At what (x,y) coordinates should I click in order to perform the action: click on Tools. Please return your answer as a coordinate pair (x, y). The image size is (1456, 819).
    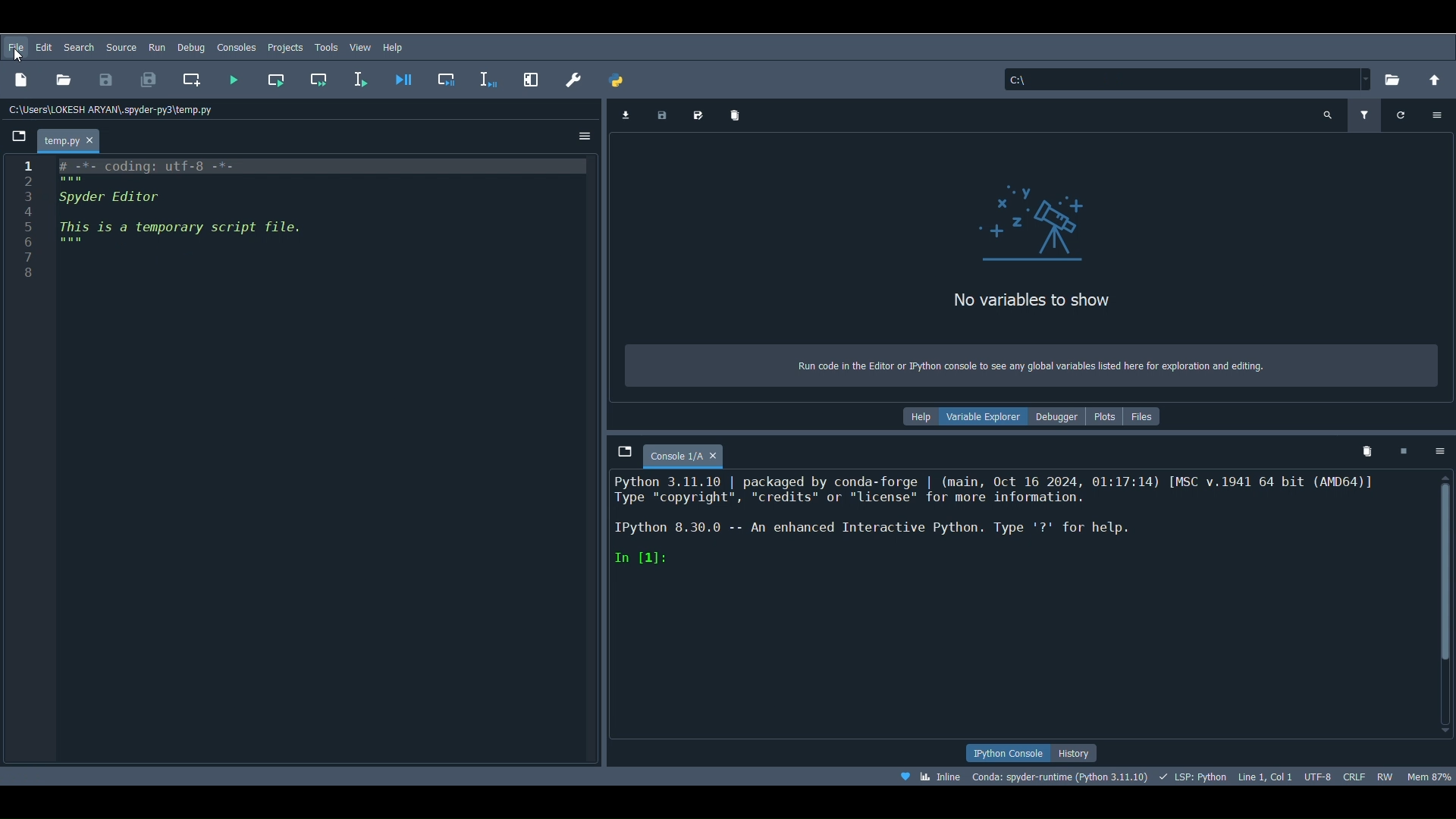
    Looking at the image, I should click on (328, 47).